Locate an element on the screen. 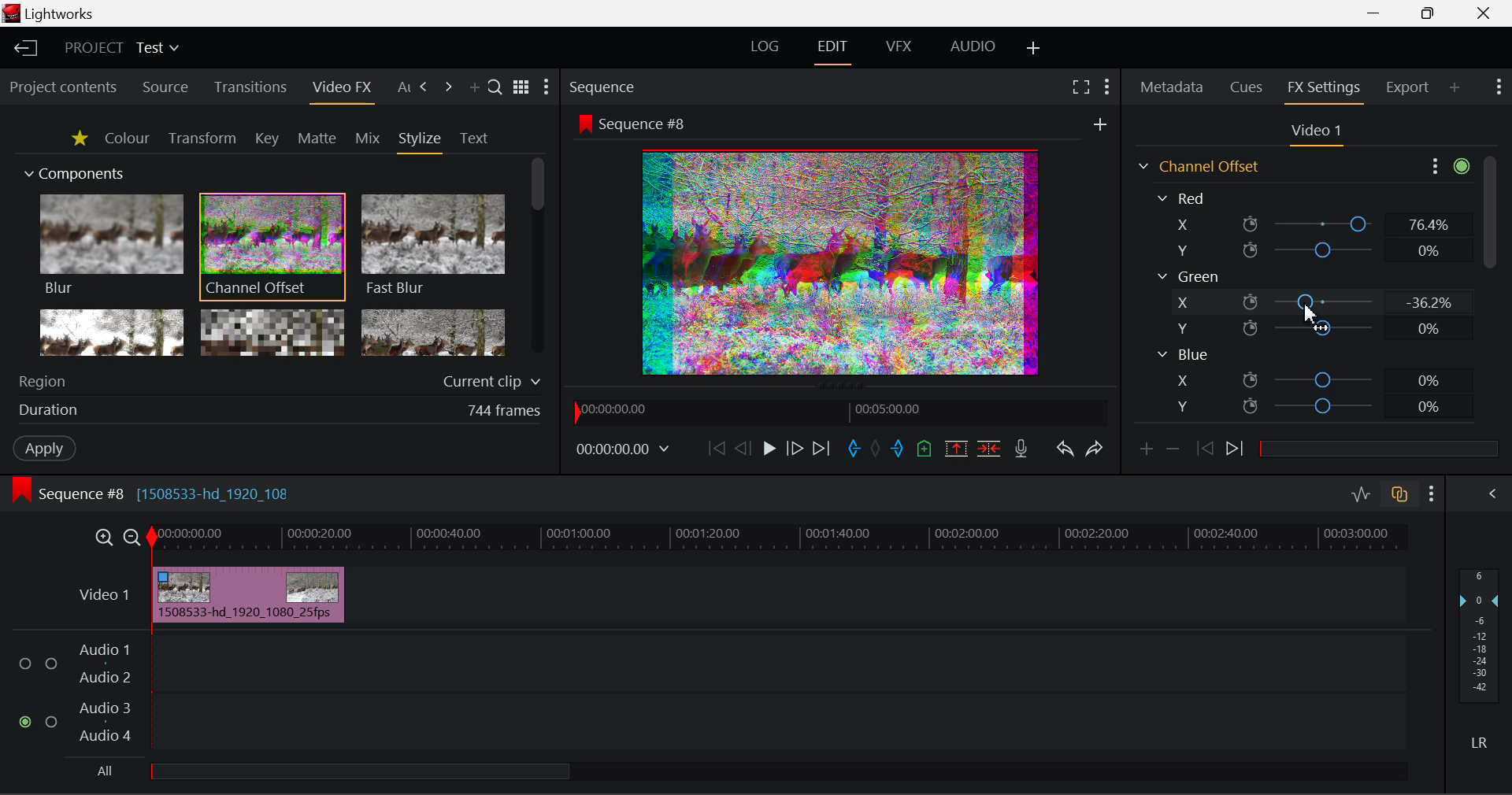 The height and width of the screenshot is (795, 1512). Mark Out is located at coordinates (896, 449).